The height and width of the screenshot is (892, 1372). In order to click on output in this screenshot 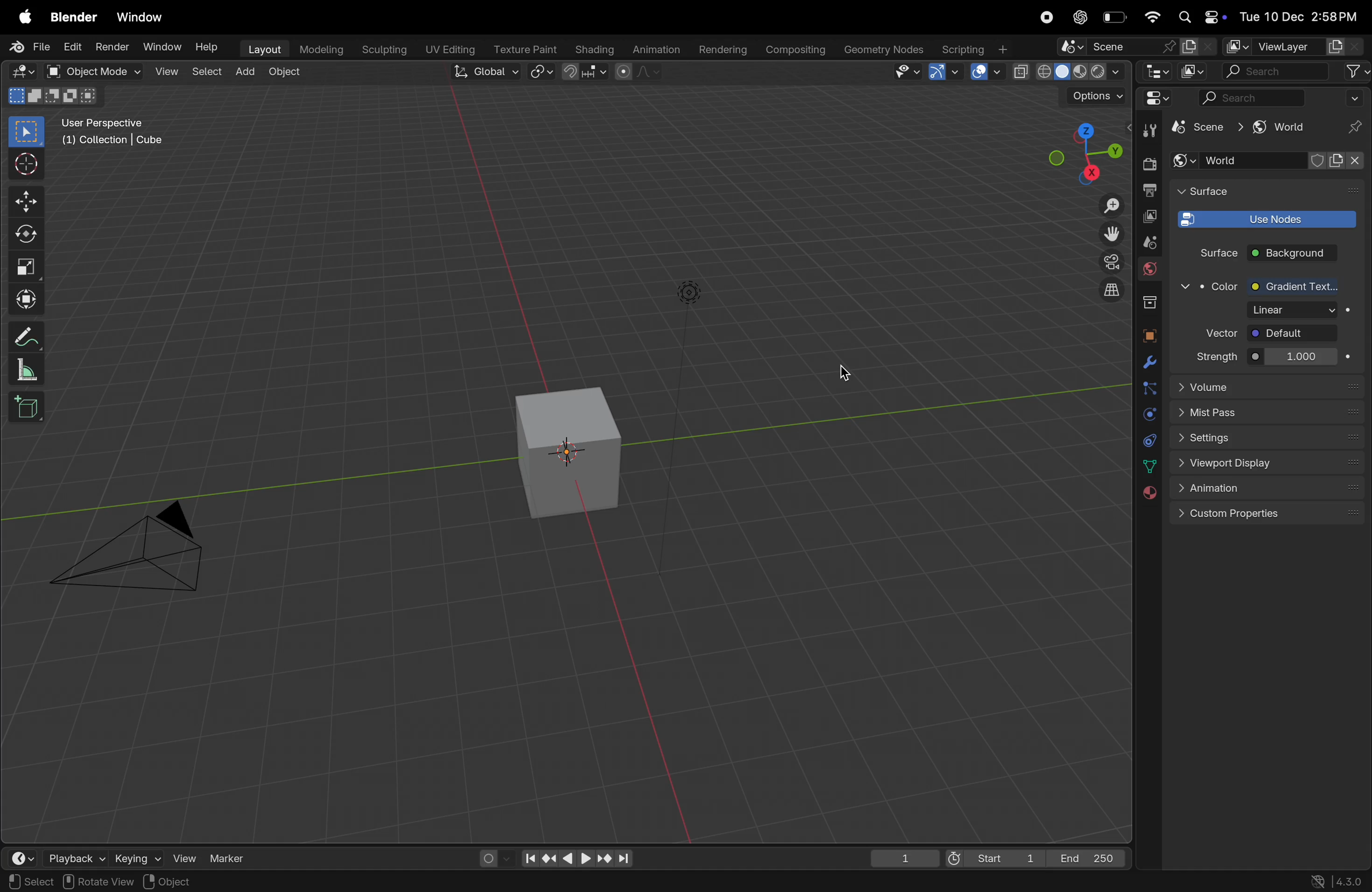, I will do `click(1149, 190)`.